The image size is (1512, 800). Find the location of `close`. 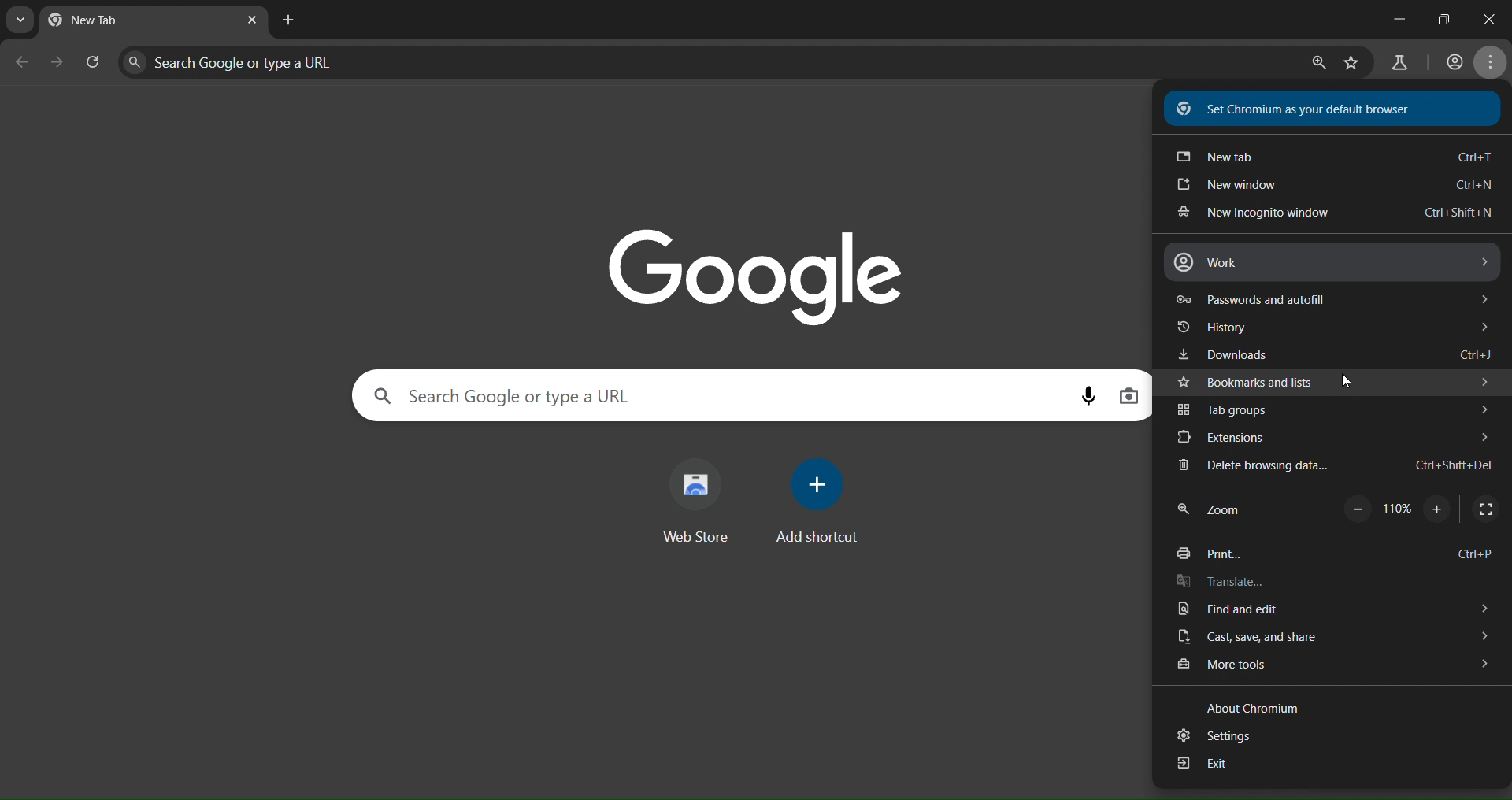

close is located at coordinates (1488, 18).